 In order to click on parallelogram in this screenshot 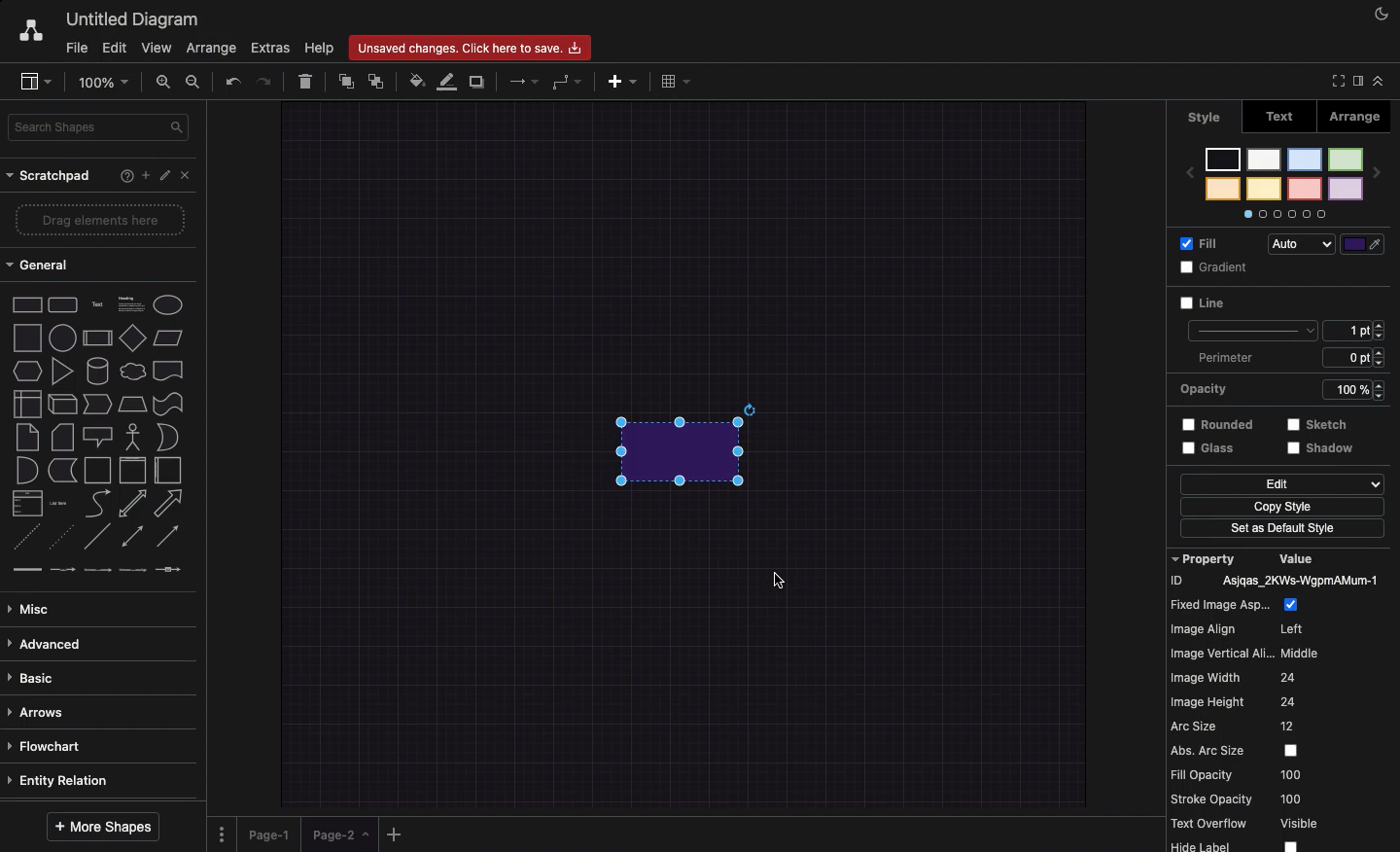, I will do `click(170, 338)`.